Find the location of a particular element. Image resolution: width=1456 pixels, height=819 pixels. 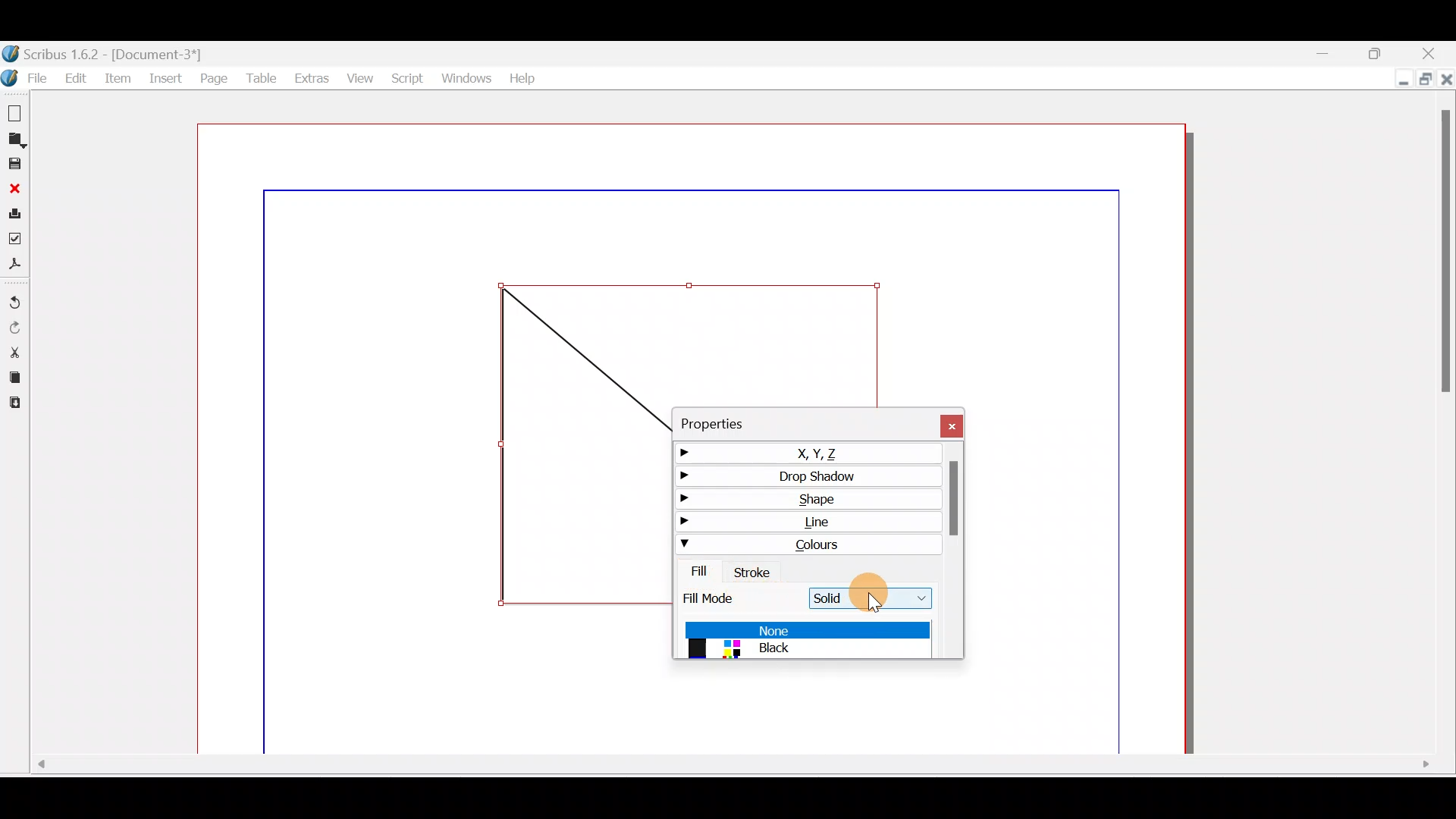

Line is located at coordinates (808, 521).